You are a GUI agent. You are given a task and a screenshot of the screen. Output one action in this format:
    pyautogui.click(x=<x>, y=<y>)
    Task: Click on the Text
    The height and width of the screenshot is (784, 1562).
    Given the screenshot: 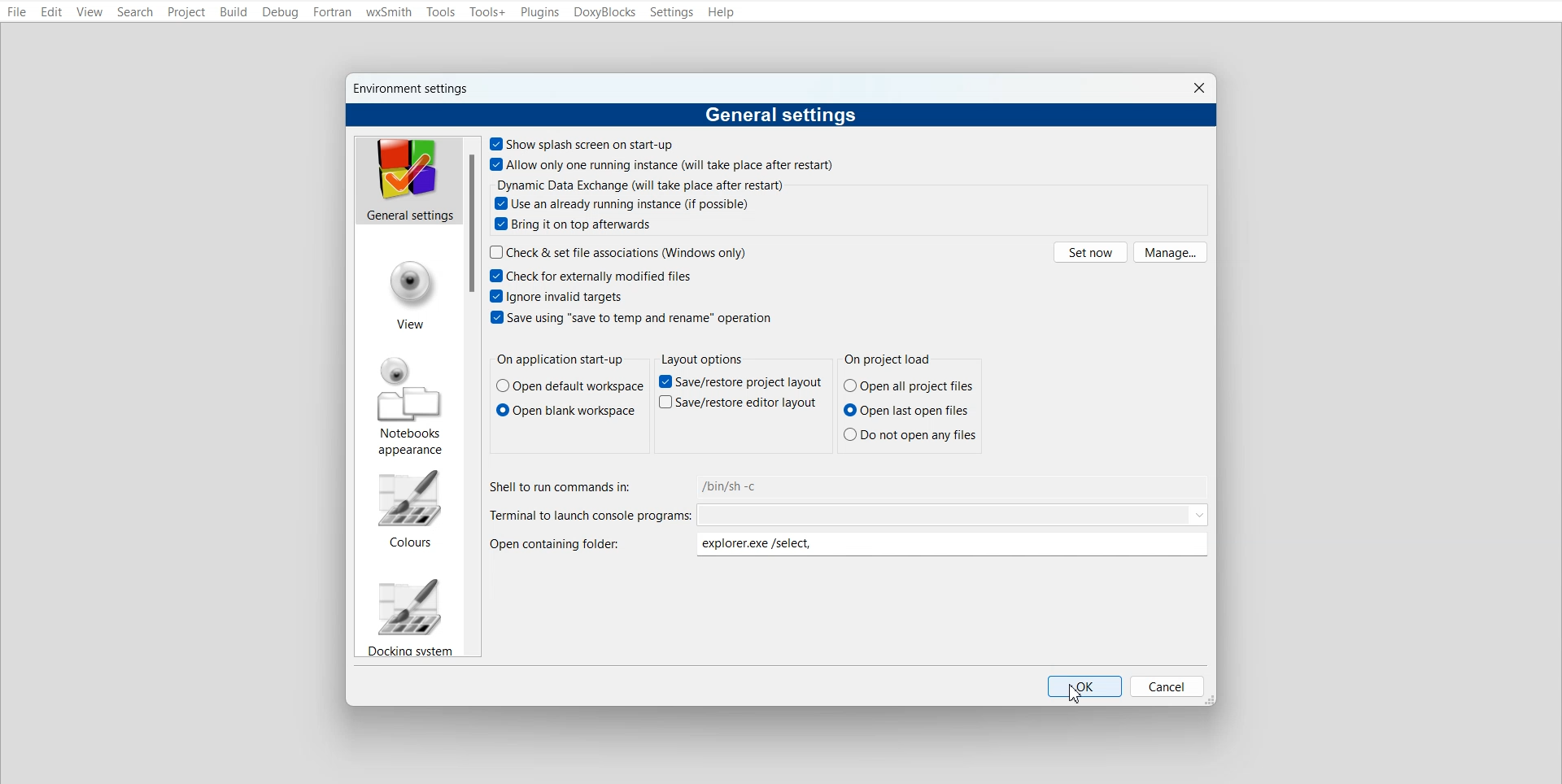 What is the action you would take?
    pyautogui.click(x=892, y=360)
    